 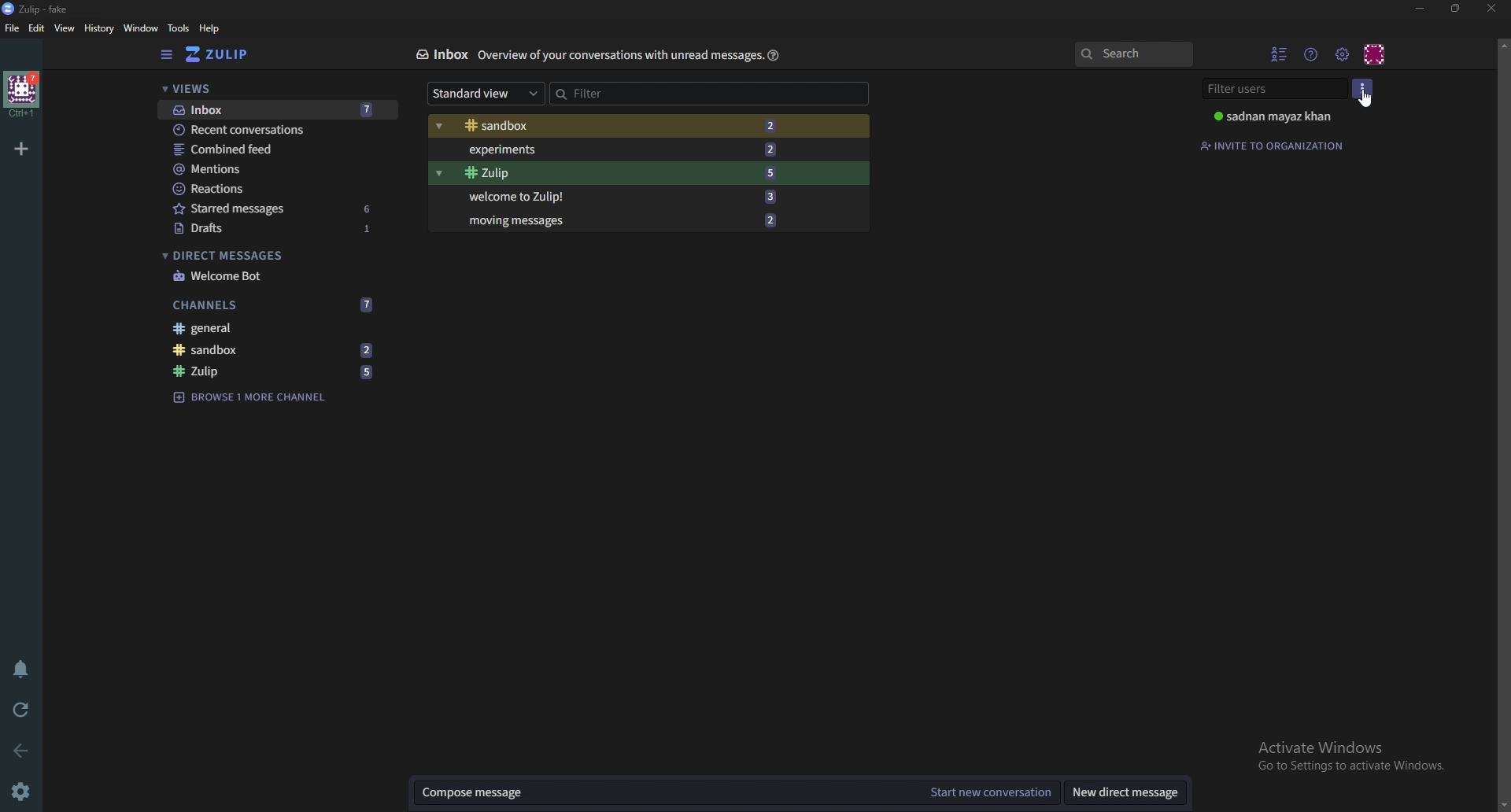 I want to click on Mentions, so click(x=279, y=168).